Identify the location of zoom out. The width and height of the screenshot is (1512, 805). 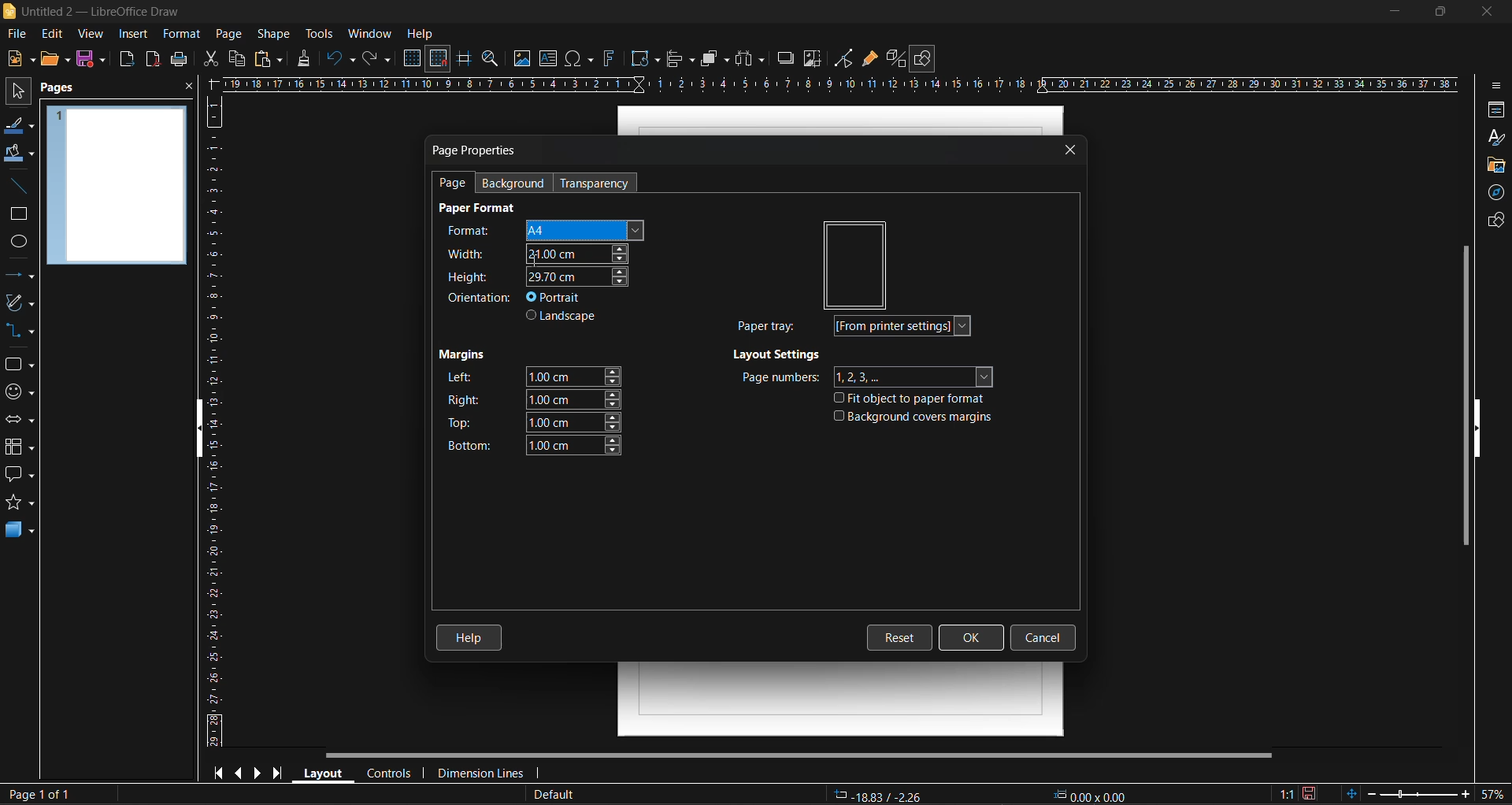
(1371, 793).